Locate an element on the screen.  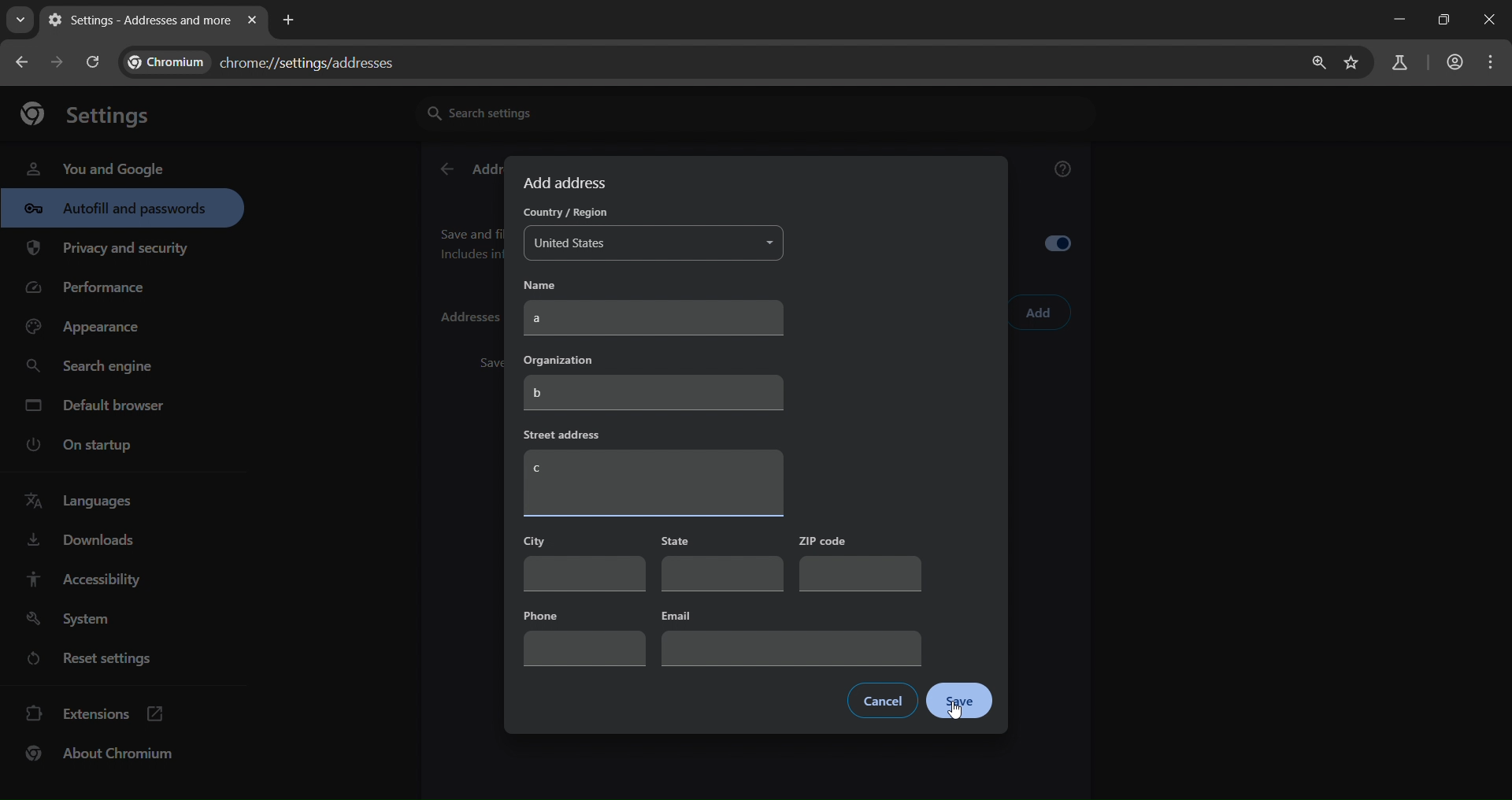
go back one page is located at coordinates (60, 61).